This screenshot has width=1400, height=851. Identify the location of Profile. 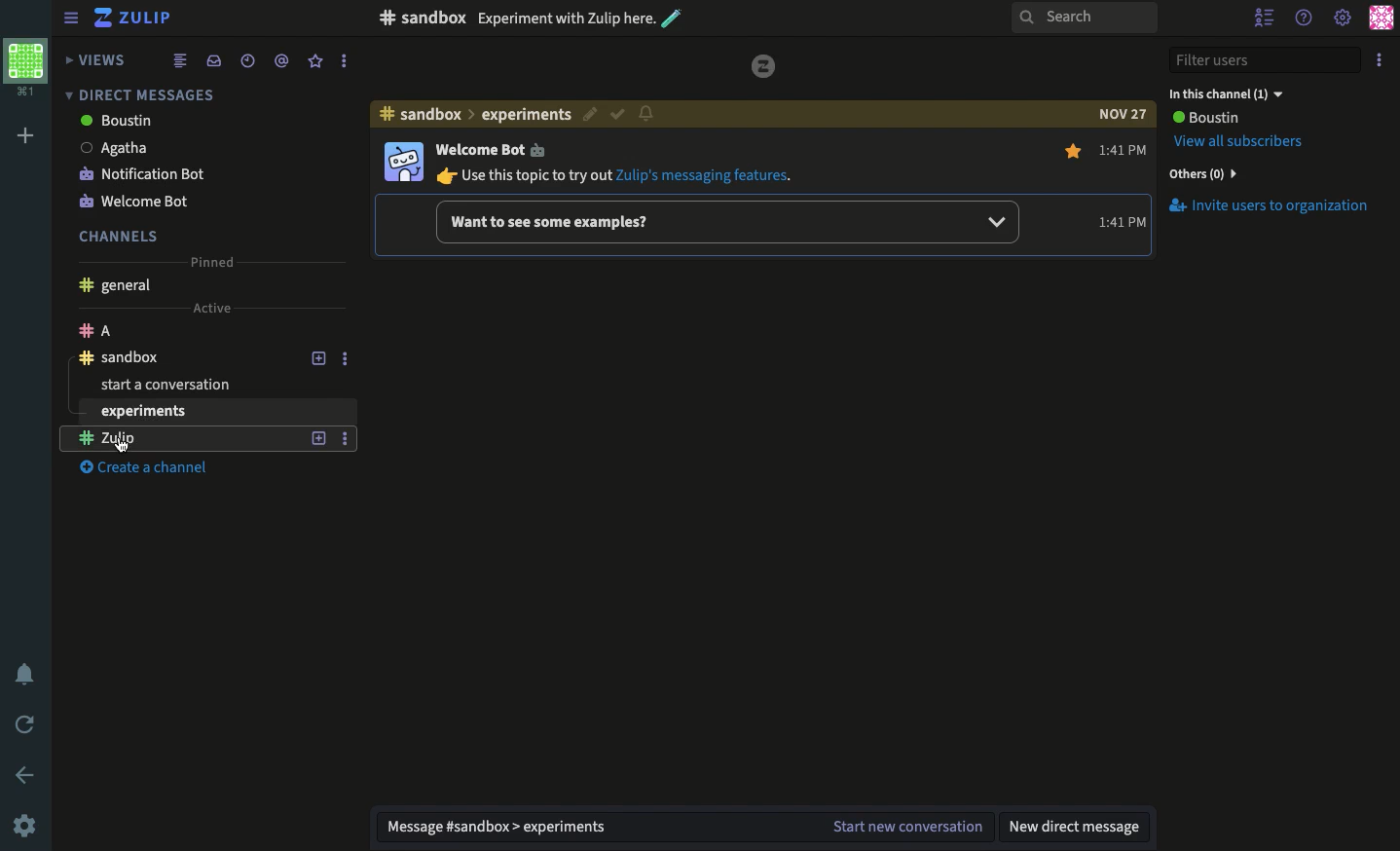
(24, 65).